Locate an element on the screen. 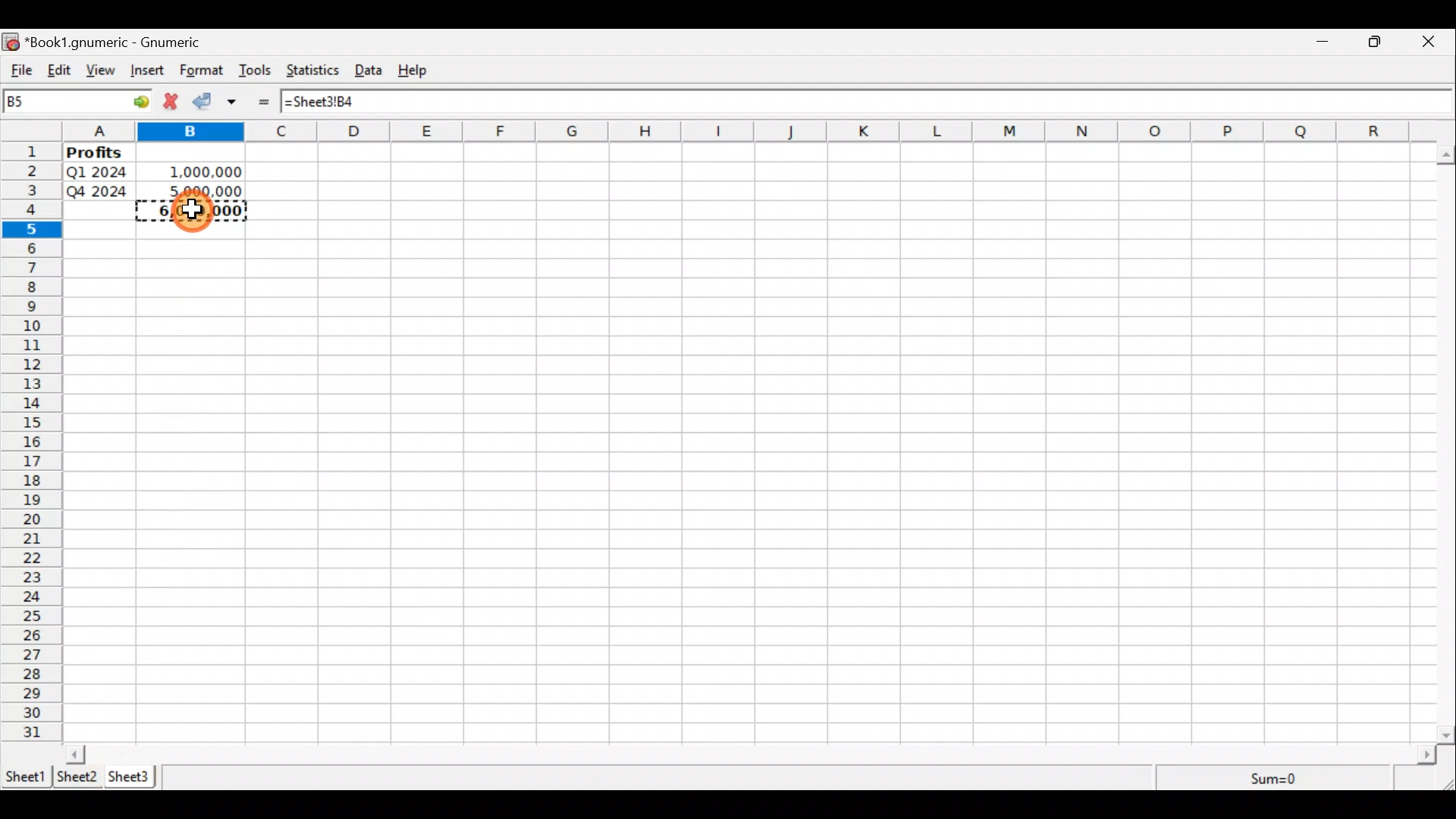  Q1 2024 is located at coordinates (96, 171).